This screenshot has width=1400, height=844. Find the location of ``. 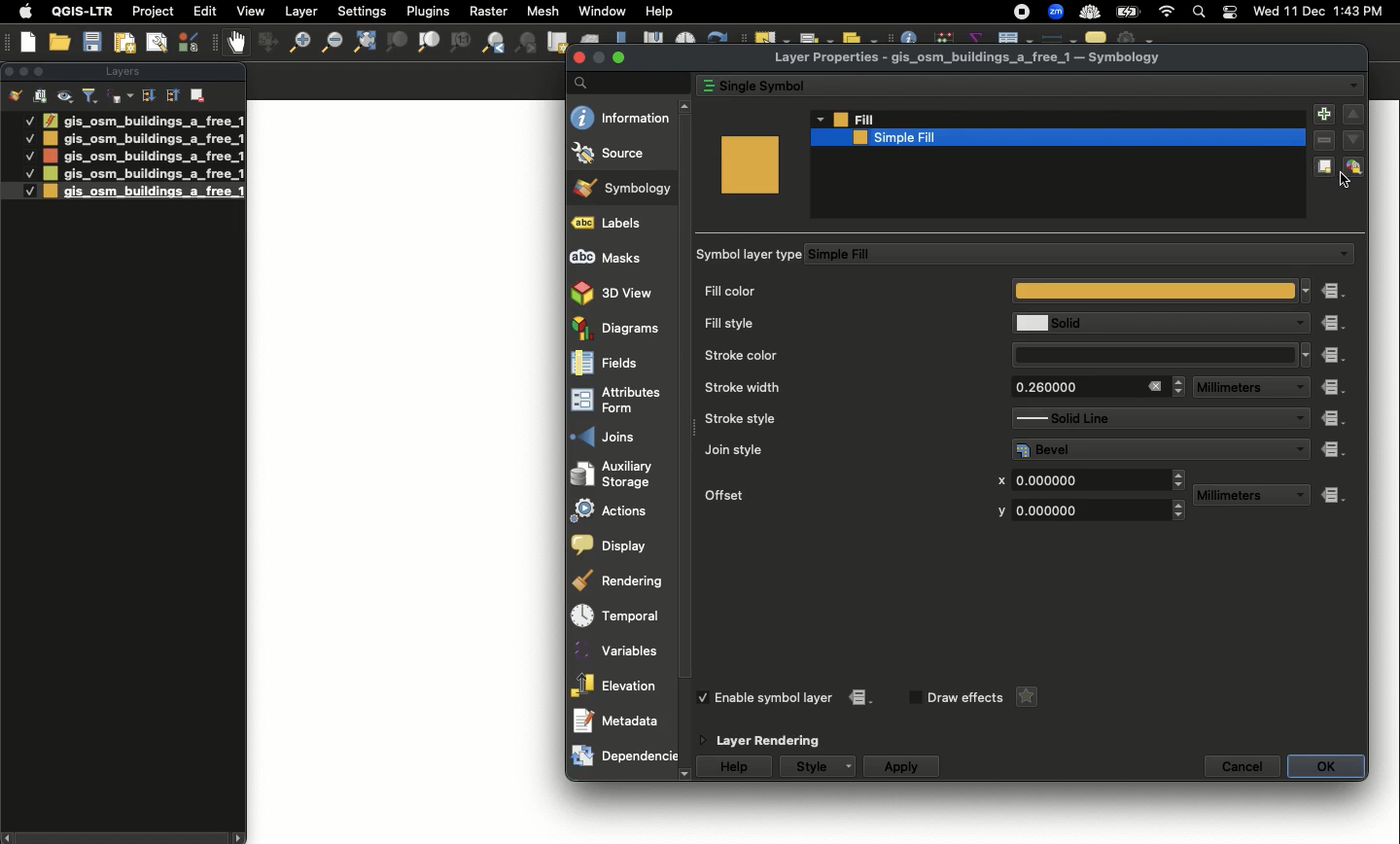

 is located at coordinates (1153, 354).